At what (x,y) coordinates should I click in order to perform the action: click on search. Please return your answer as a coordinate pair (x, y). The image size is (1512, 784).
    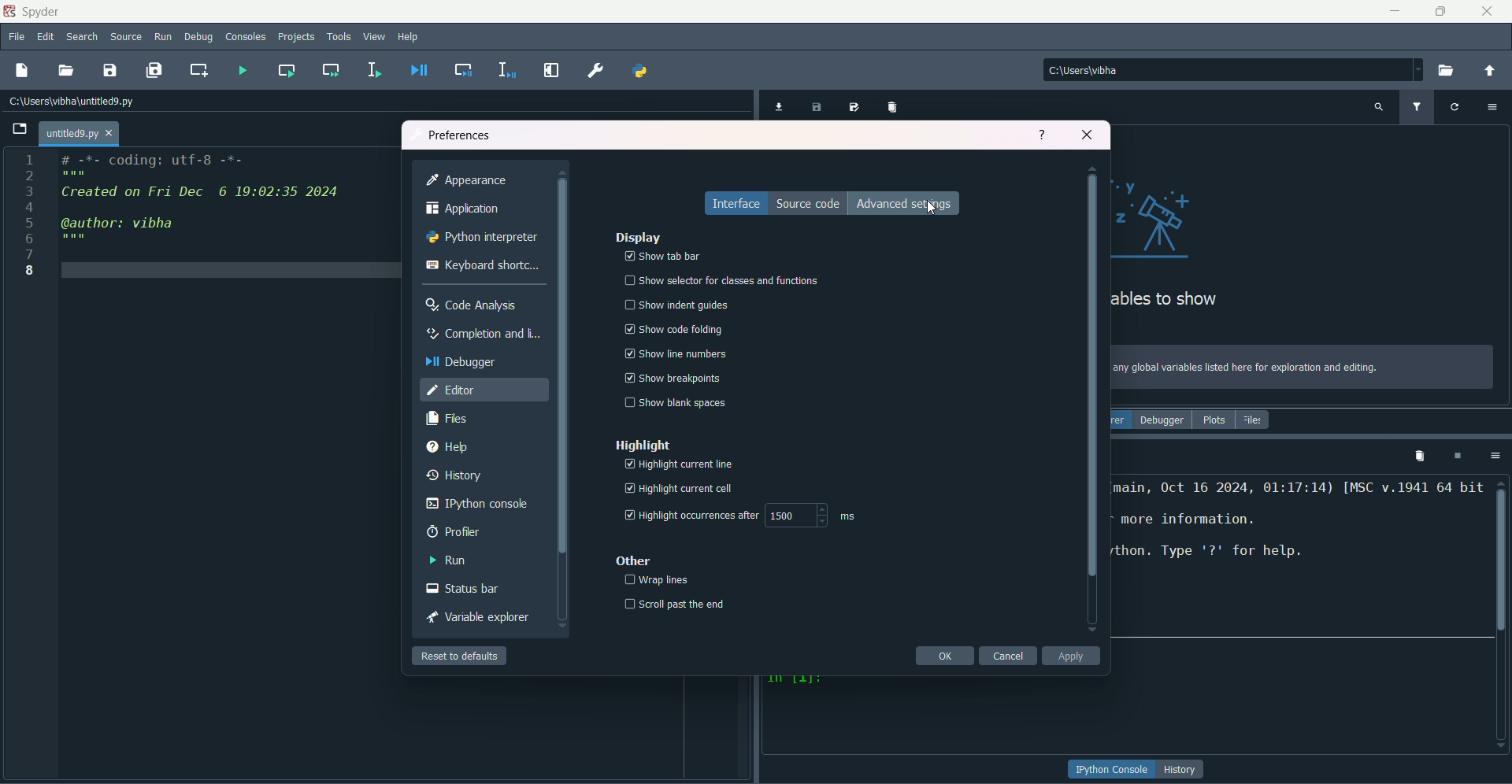
    Looking at the image, I should click on (82, 39).